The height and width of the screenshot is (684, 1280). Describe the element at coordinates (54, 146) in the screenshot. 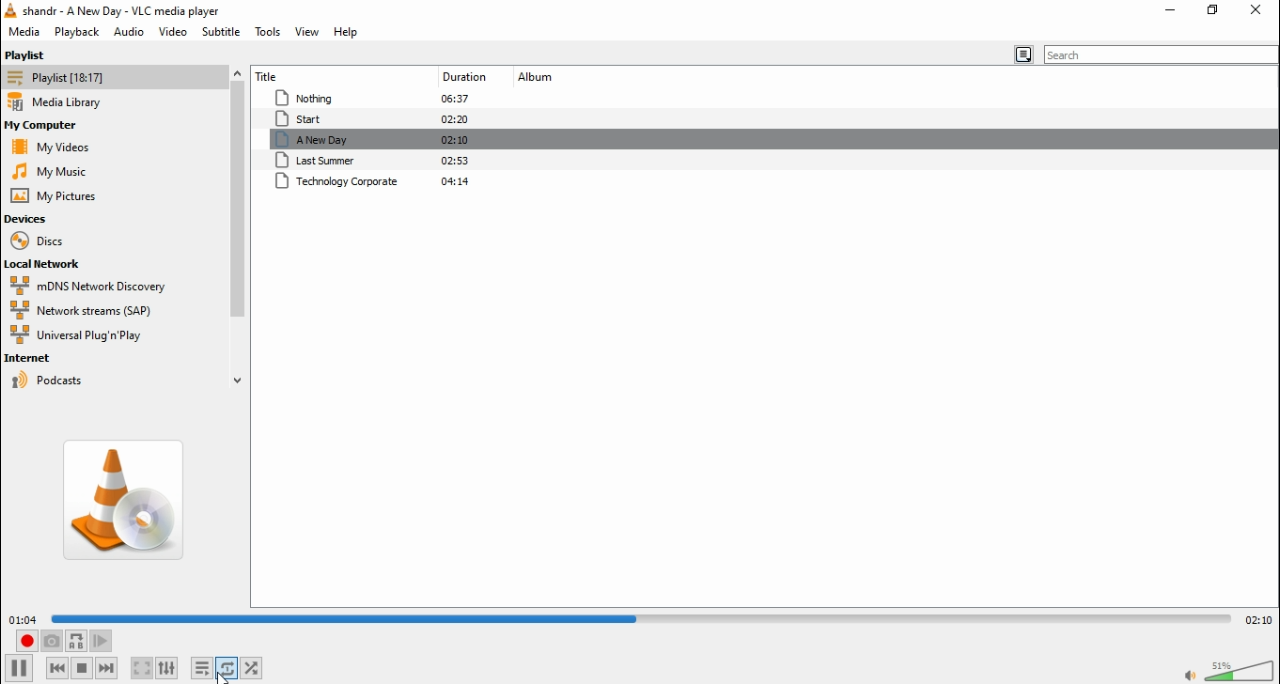

I see `my videos` at that location.